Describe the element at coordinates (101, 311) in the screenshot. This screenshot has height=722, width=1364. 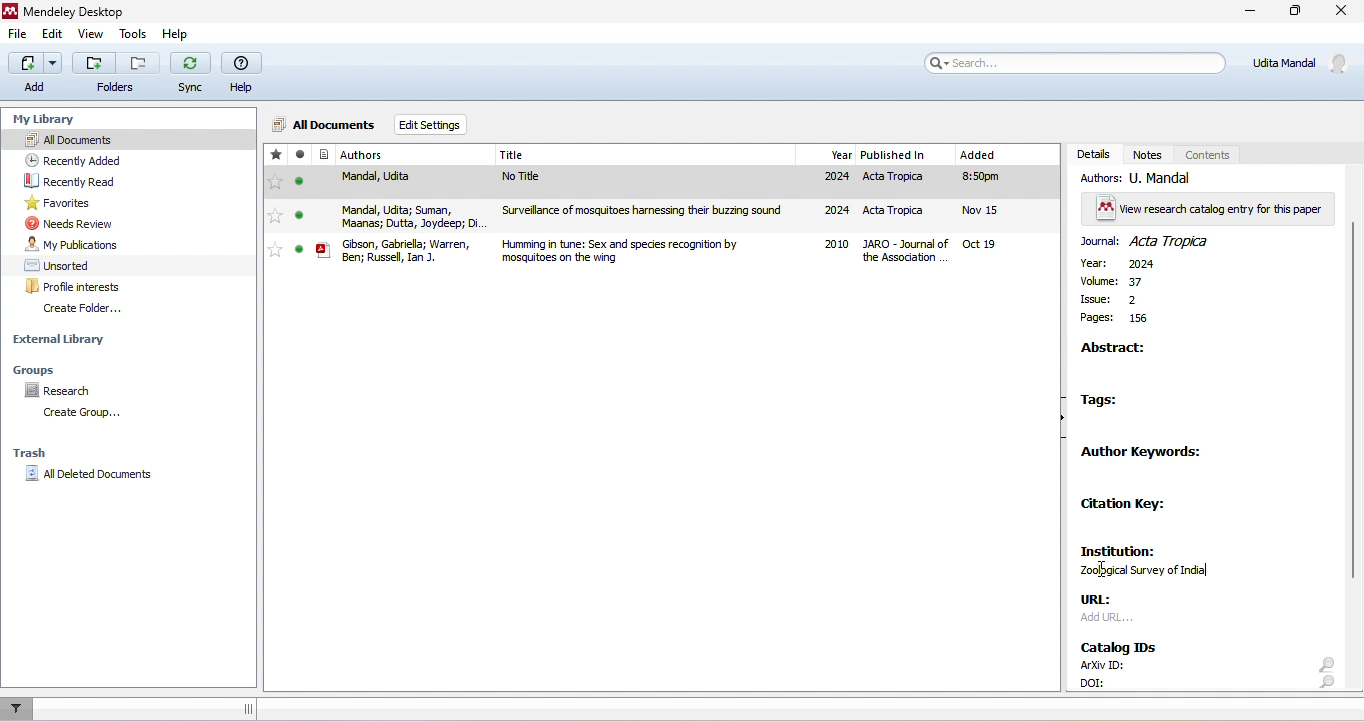
I see `create folder` at that location.